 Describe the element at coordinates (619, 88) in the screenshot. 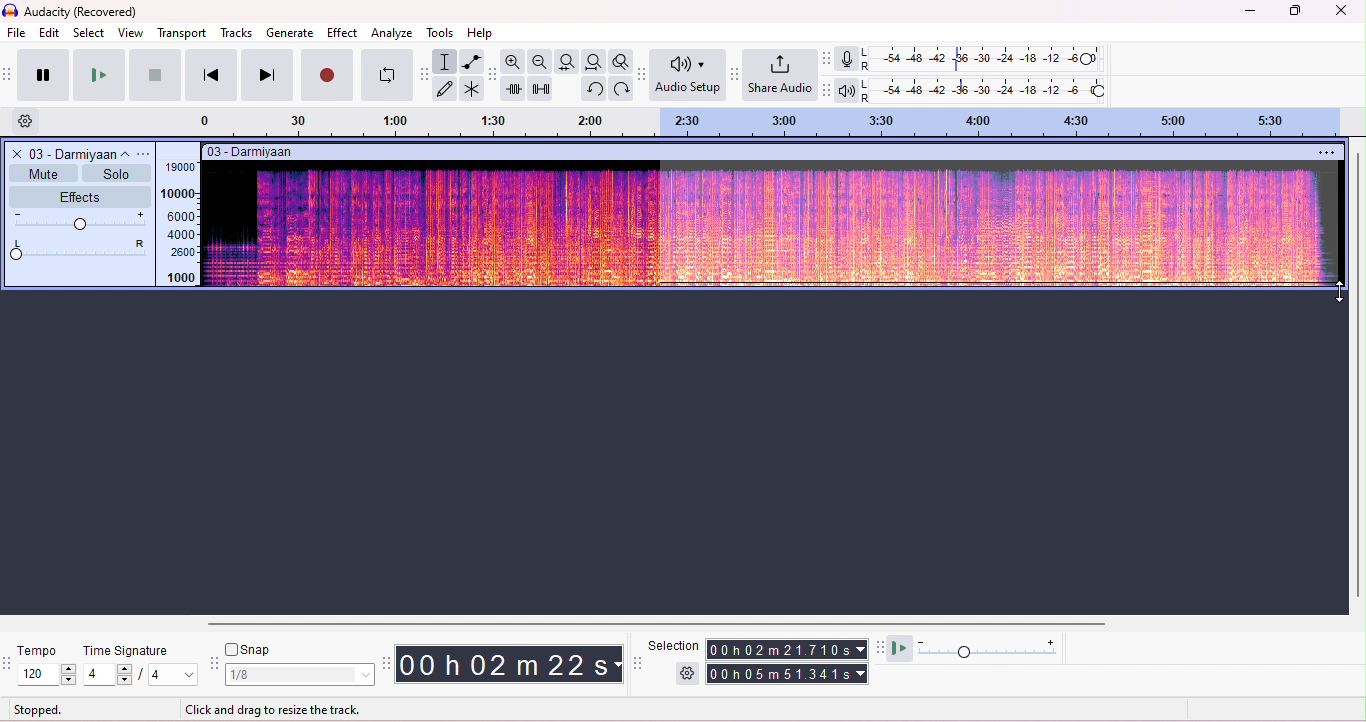

I see `redo` at that location.